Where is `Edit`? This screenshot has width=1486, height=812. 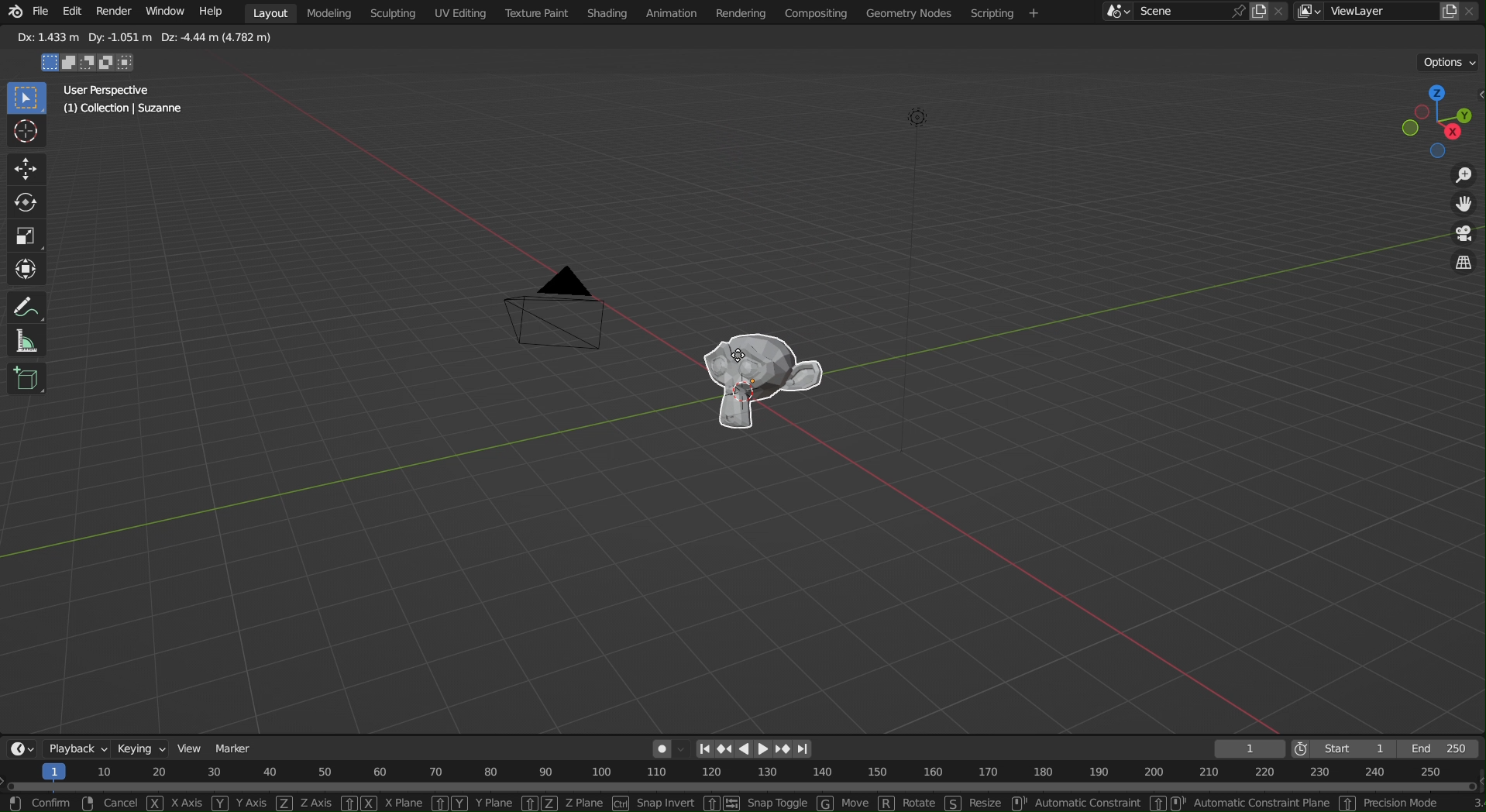
Edit is located at coordinates (76, 14).